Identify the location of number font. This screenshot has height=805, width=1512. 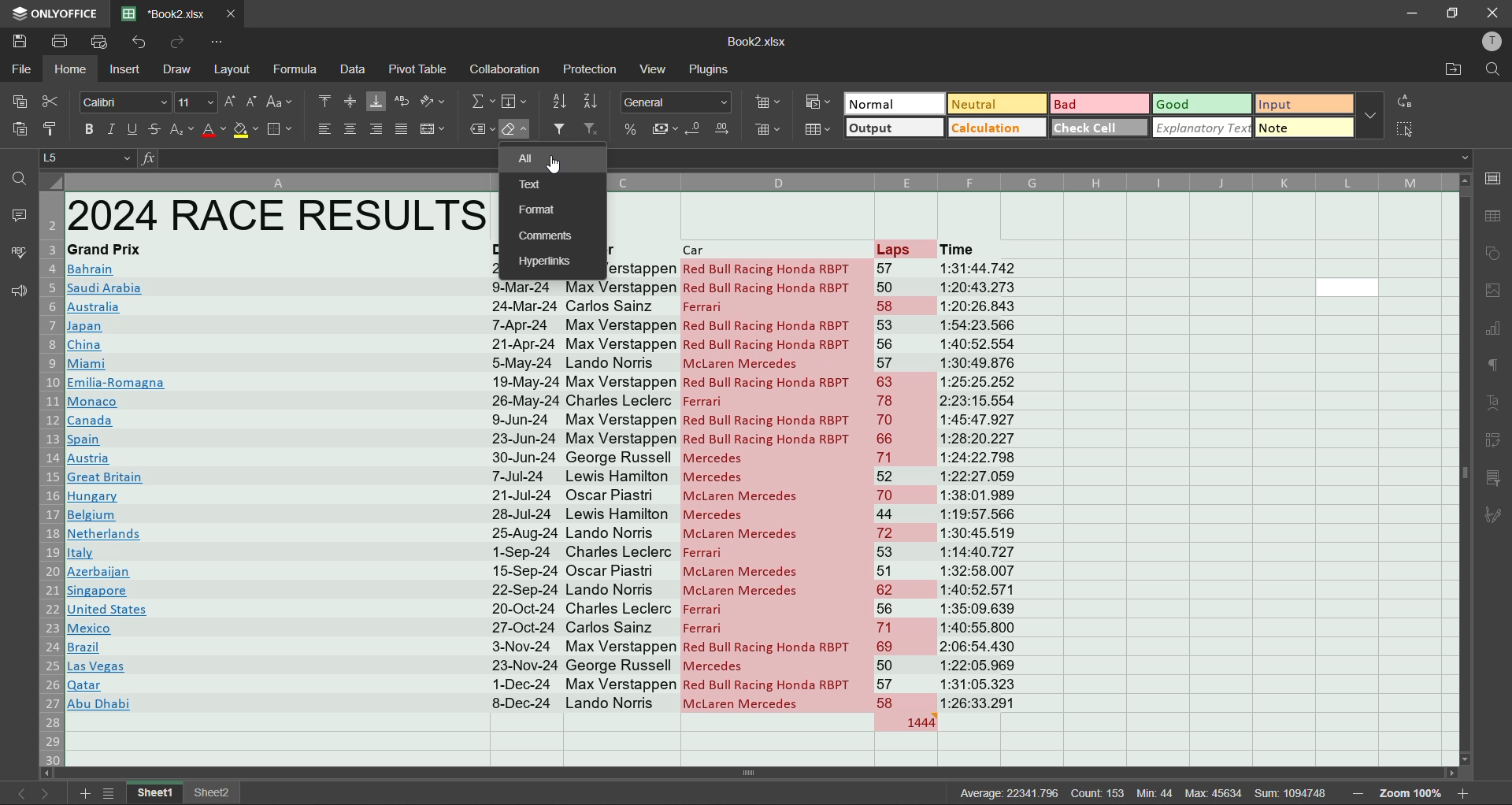
(680, 103).